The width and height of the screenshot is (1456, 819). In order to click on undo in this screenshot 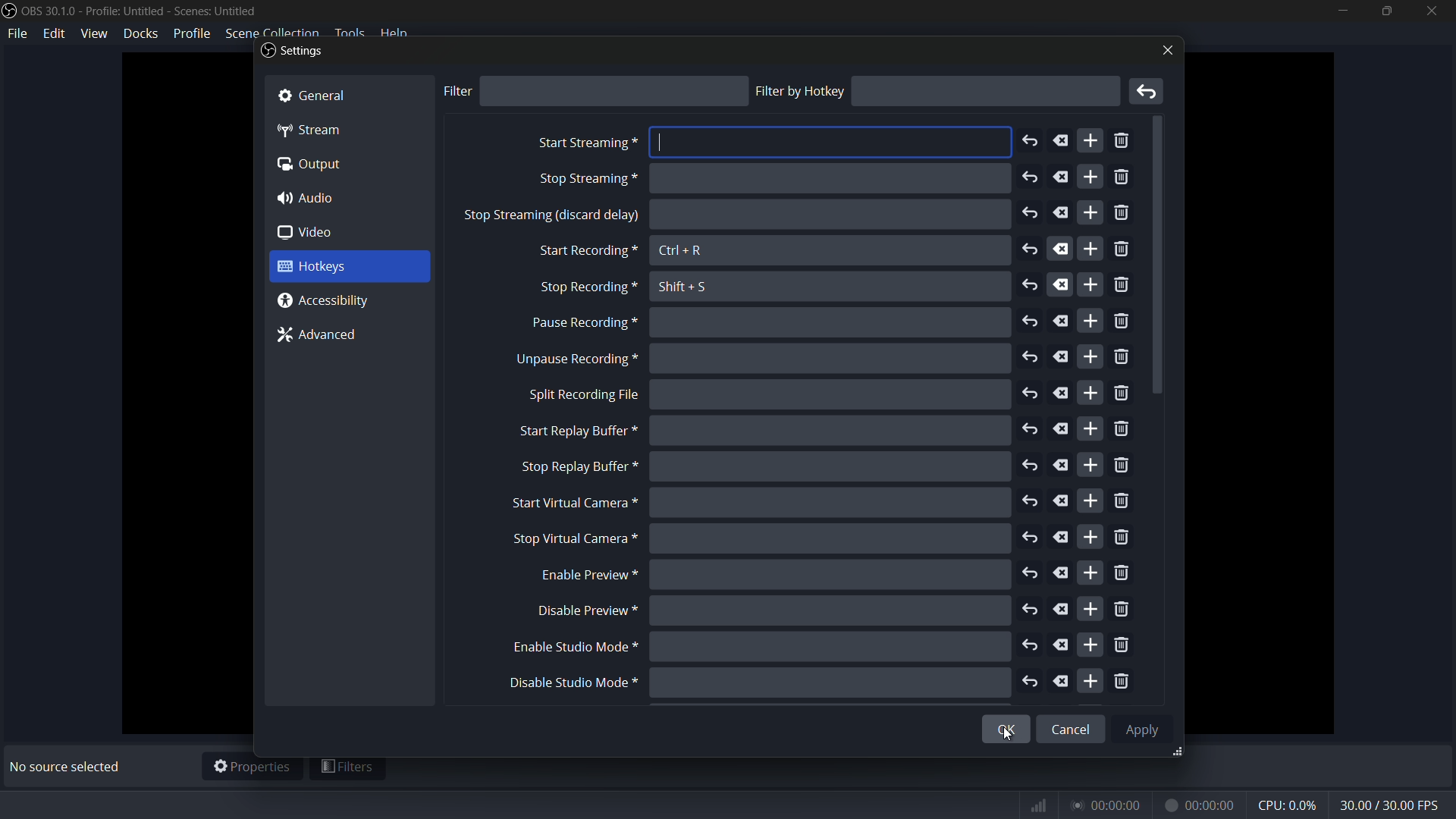, I will do `click(1031, 501)`.